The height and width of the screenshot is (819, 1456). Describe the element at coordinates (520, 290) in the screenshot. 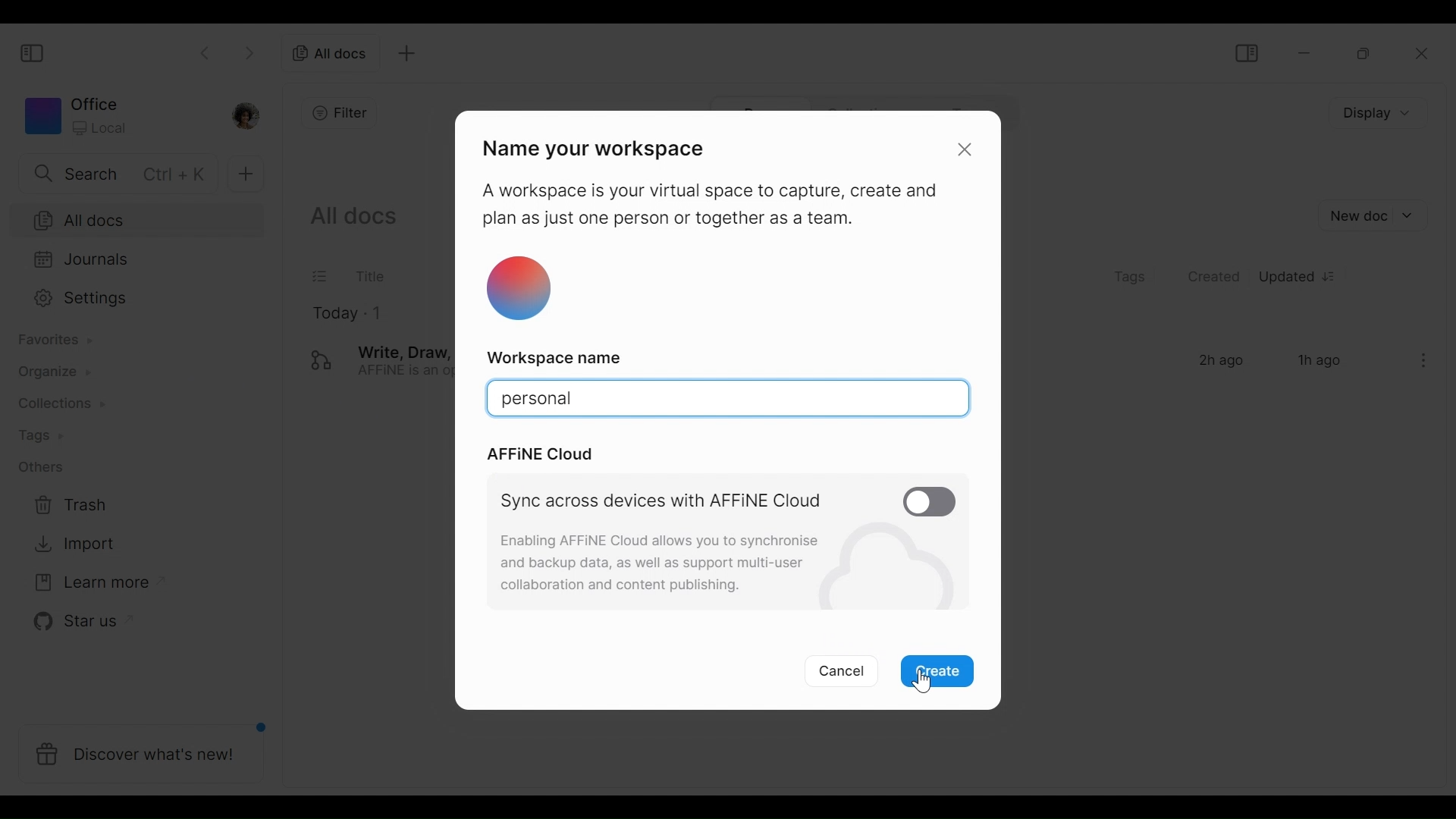

I see `icon` at that location.